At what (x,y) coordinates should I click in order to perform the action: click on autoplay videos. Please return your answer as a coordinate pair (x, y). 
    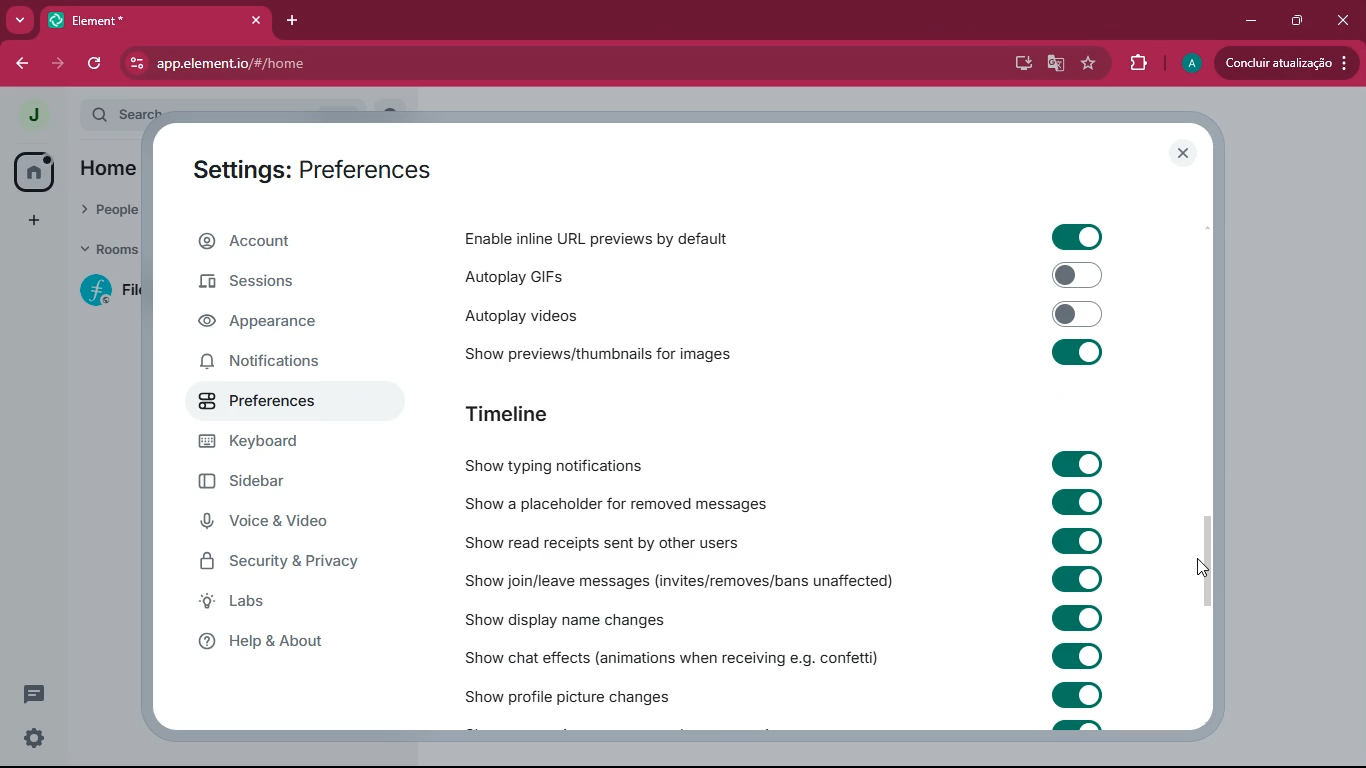
    Looking at the image, I should click on (565, 313).